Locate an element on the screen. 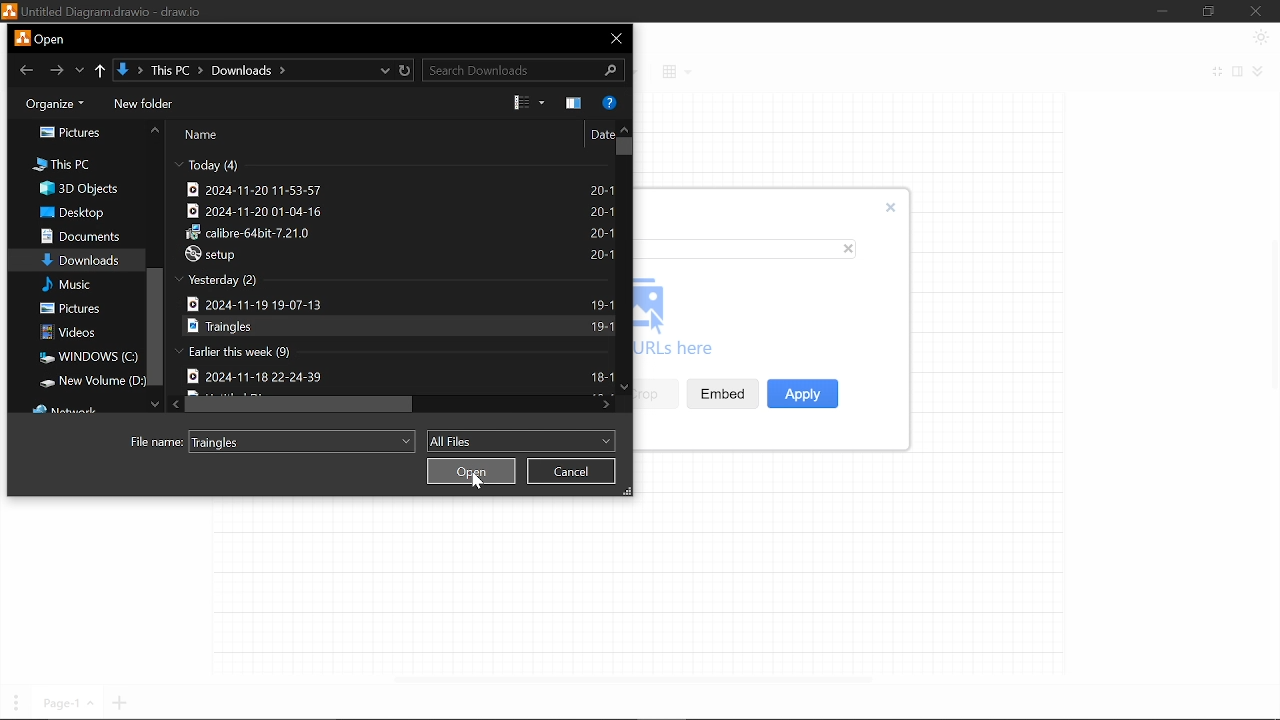  Format is located at coordinates (1238, 73).